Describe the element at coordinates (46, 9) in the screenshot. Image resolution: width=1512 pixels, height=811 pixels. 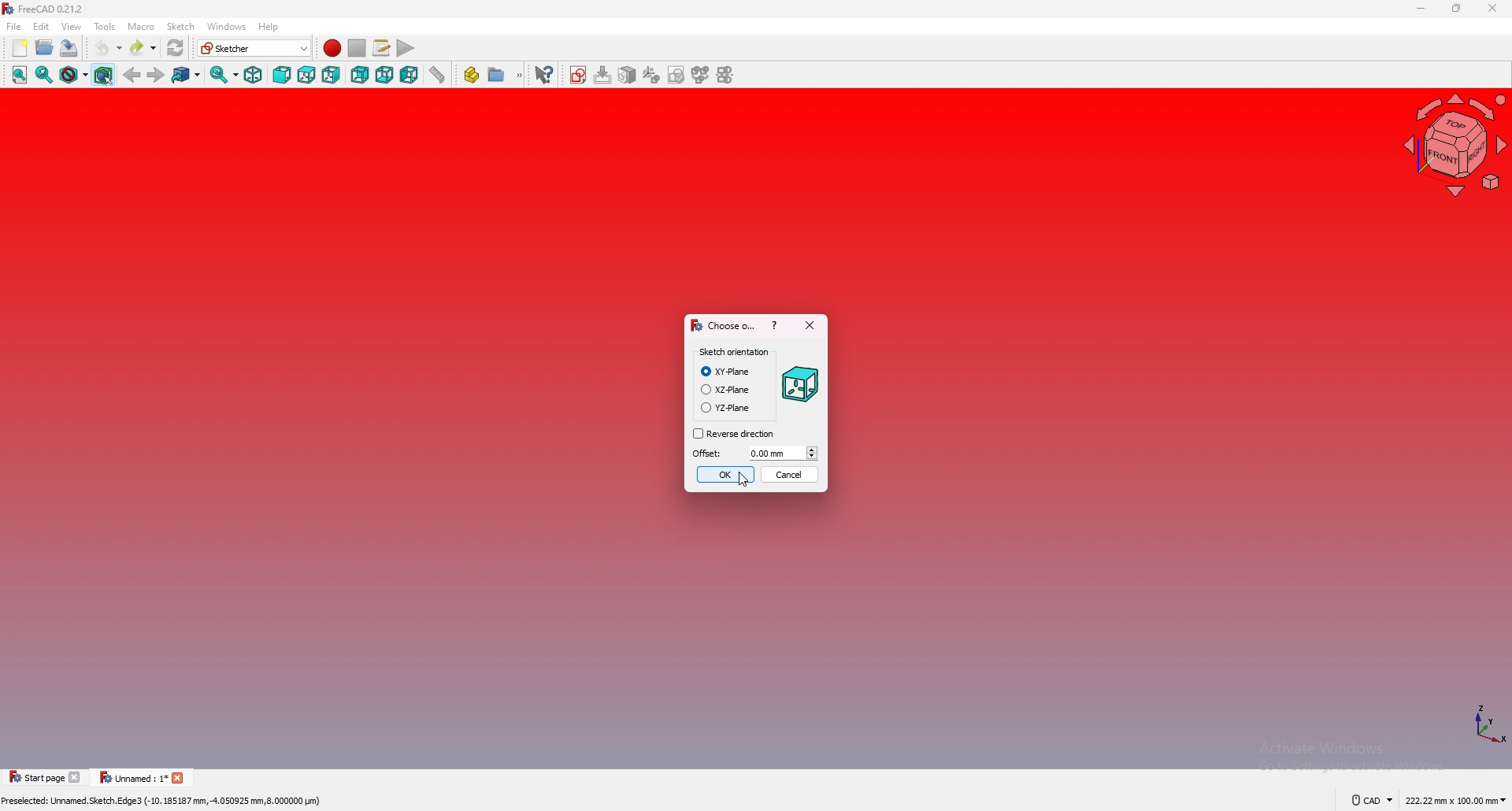
I see `freecad` at that location.